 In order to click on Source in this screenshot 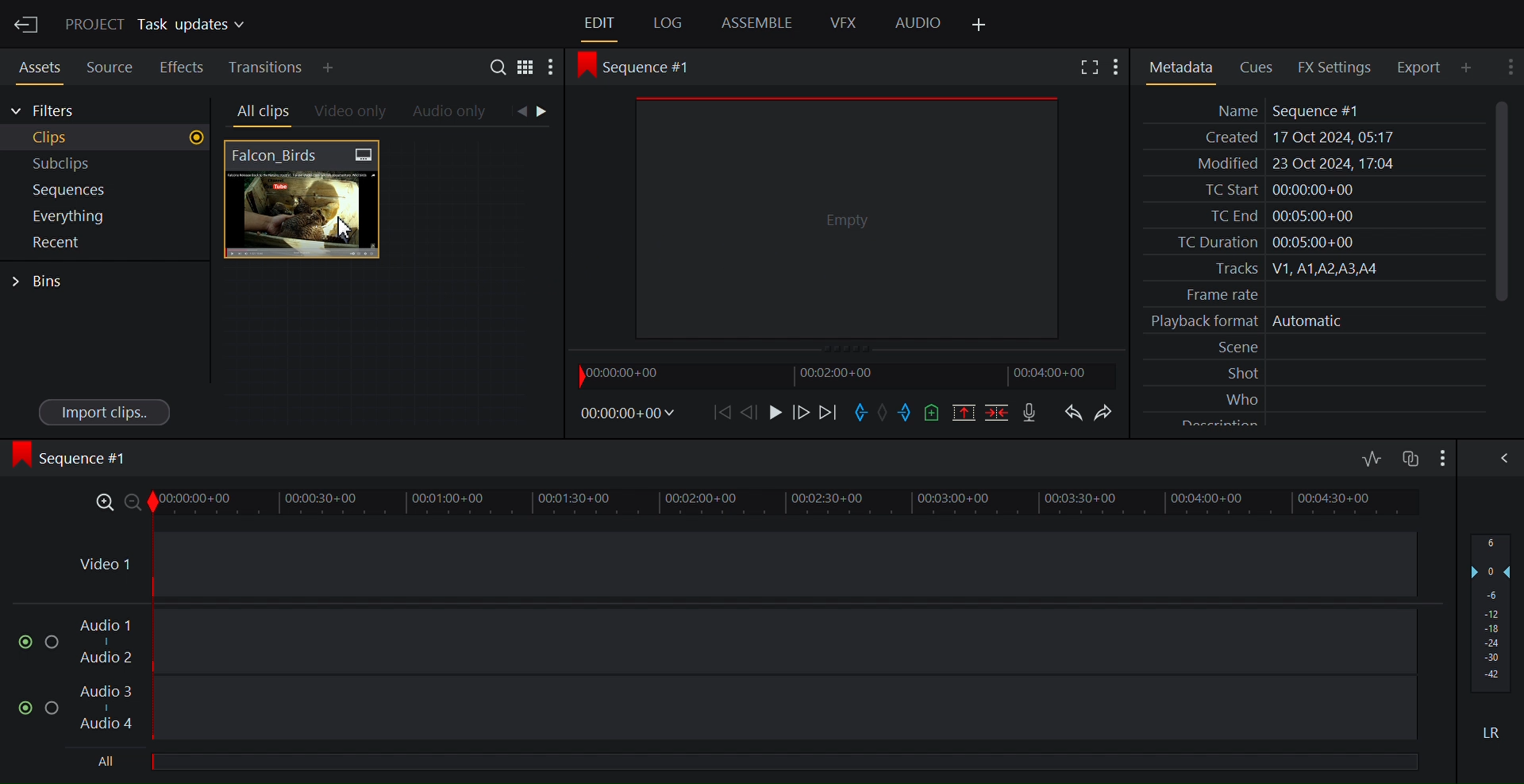, I will do `click(110, 65)`.